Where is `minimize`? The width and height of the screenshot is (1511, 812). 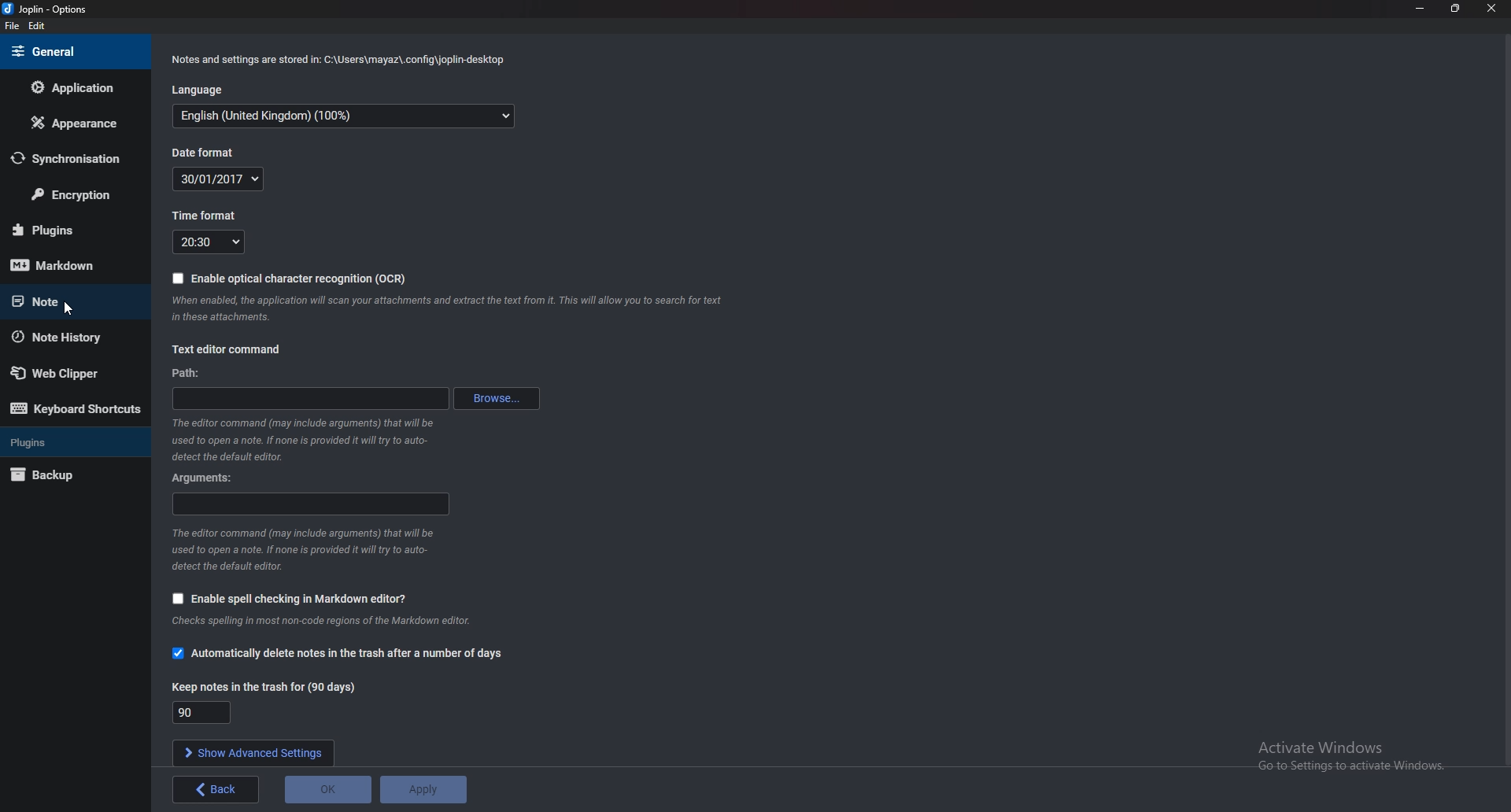
minimize is located at coordinates (1418, 9).